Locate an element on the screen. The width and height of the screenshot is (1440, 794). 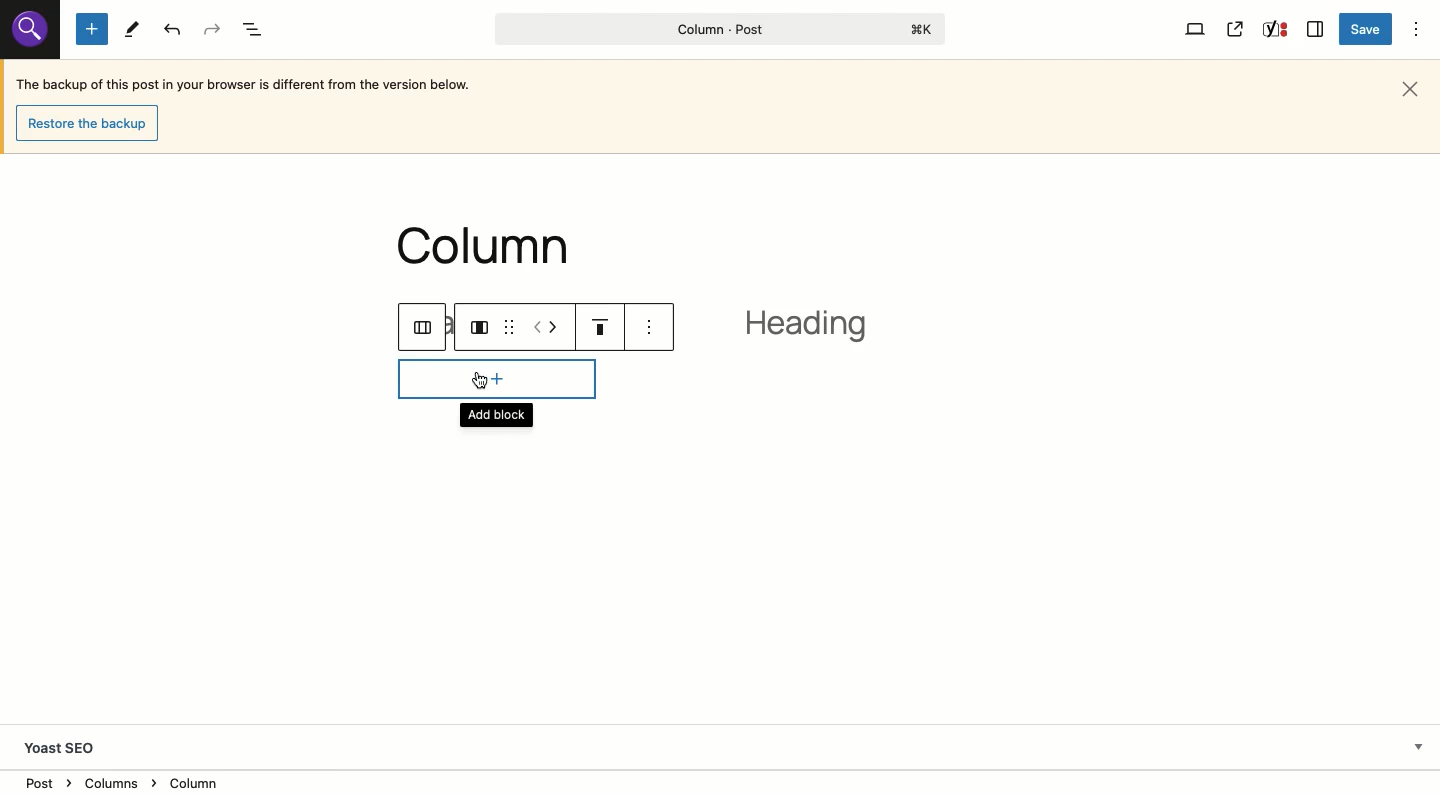
View is located at coordinates (1196, 28).